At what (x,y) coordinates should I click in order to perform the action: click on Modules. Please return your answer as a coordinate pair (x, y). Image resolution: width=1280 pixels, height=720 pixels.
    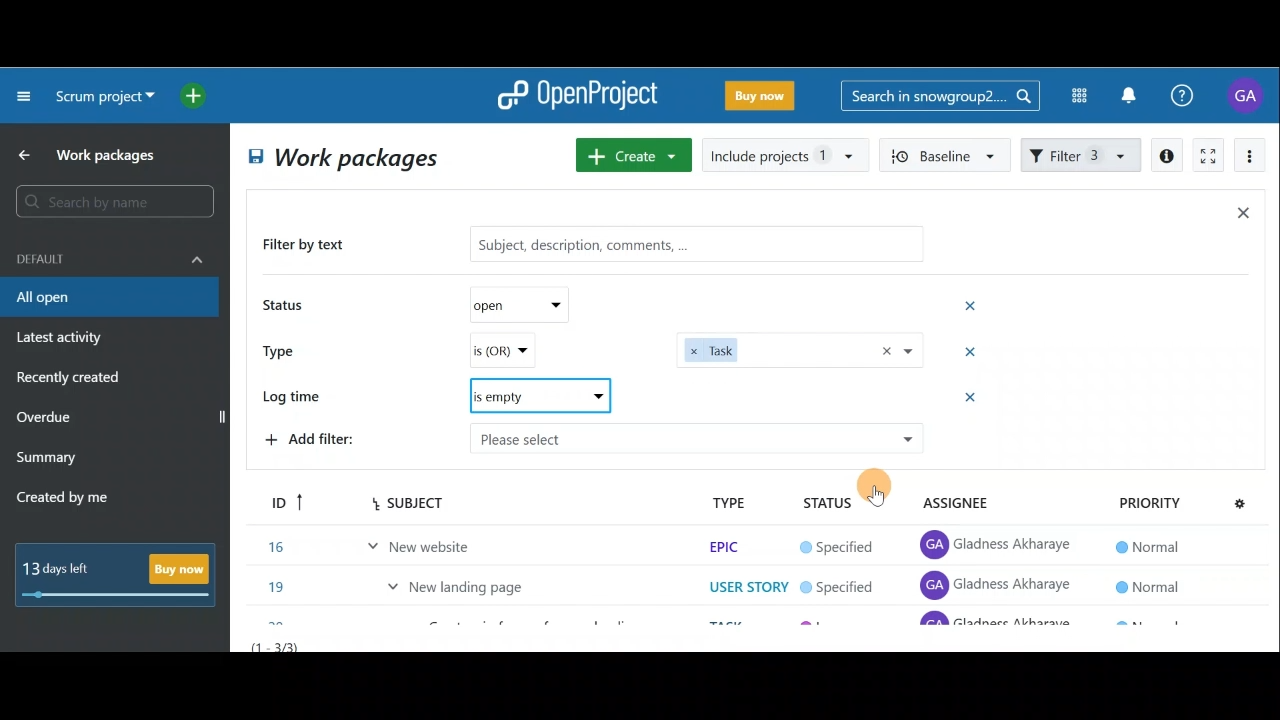
    Looking at the image, I should click on (1073, 96).